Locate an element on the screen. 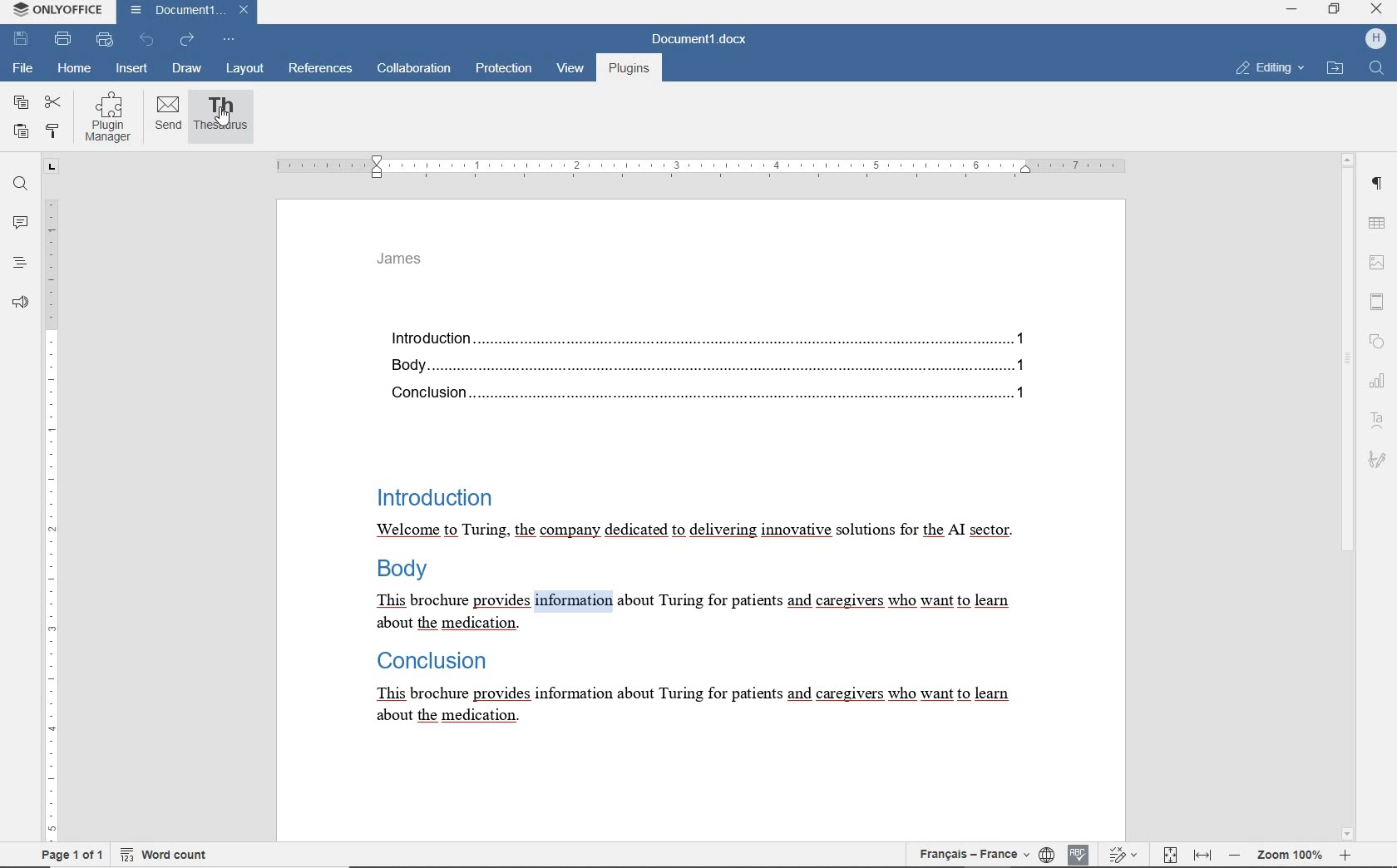 This screenshot has height=868, width=1397. HOME is located at coordinates (72, 69).